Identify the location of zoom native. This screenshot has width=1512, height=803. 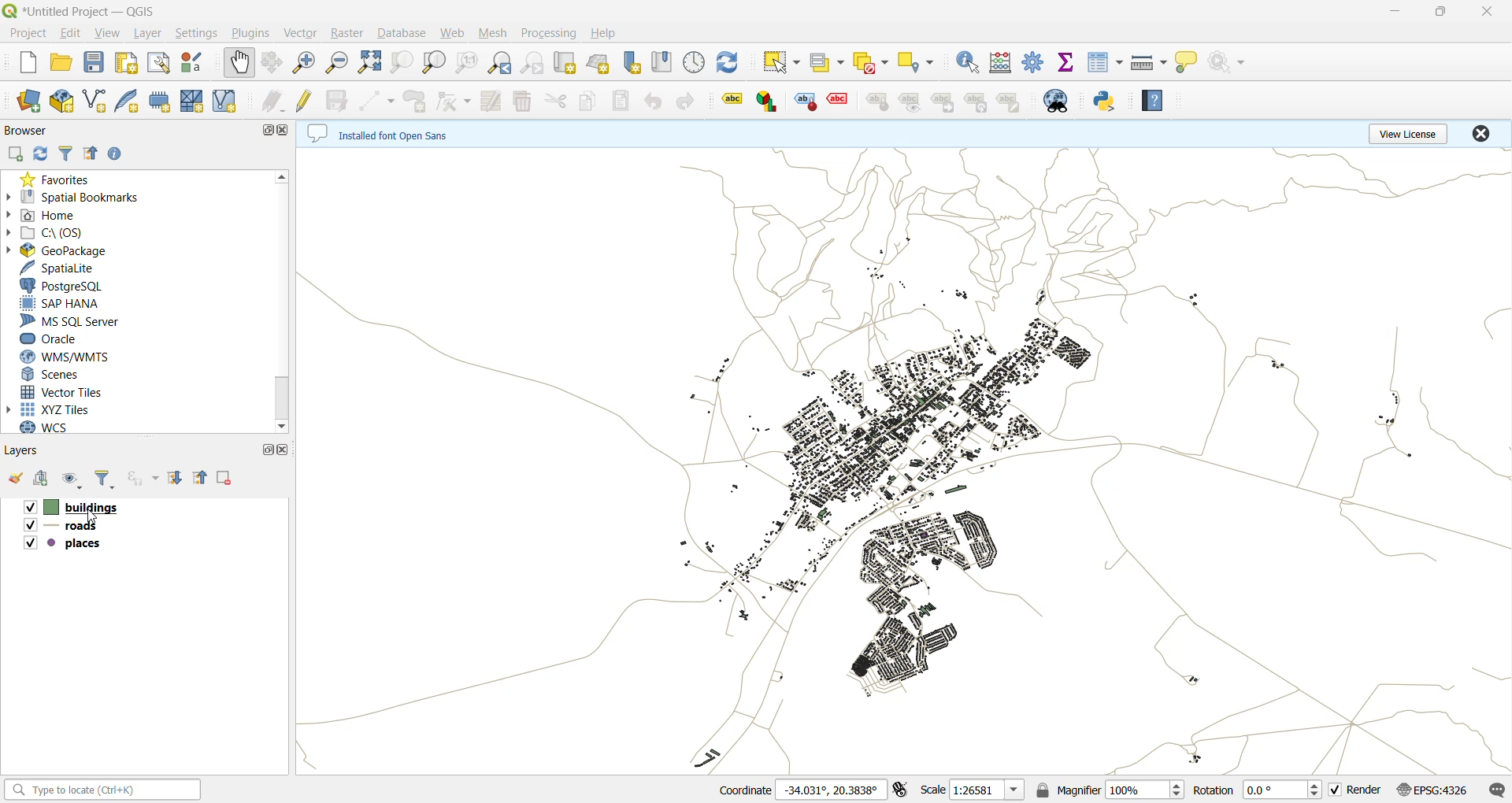
(466, 62).